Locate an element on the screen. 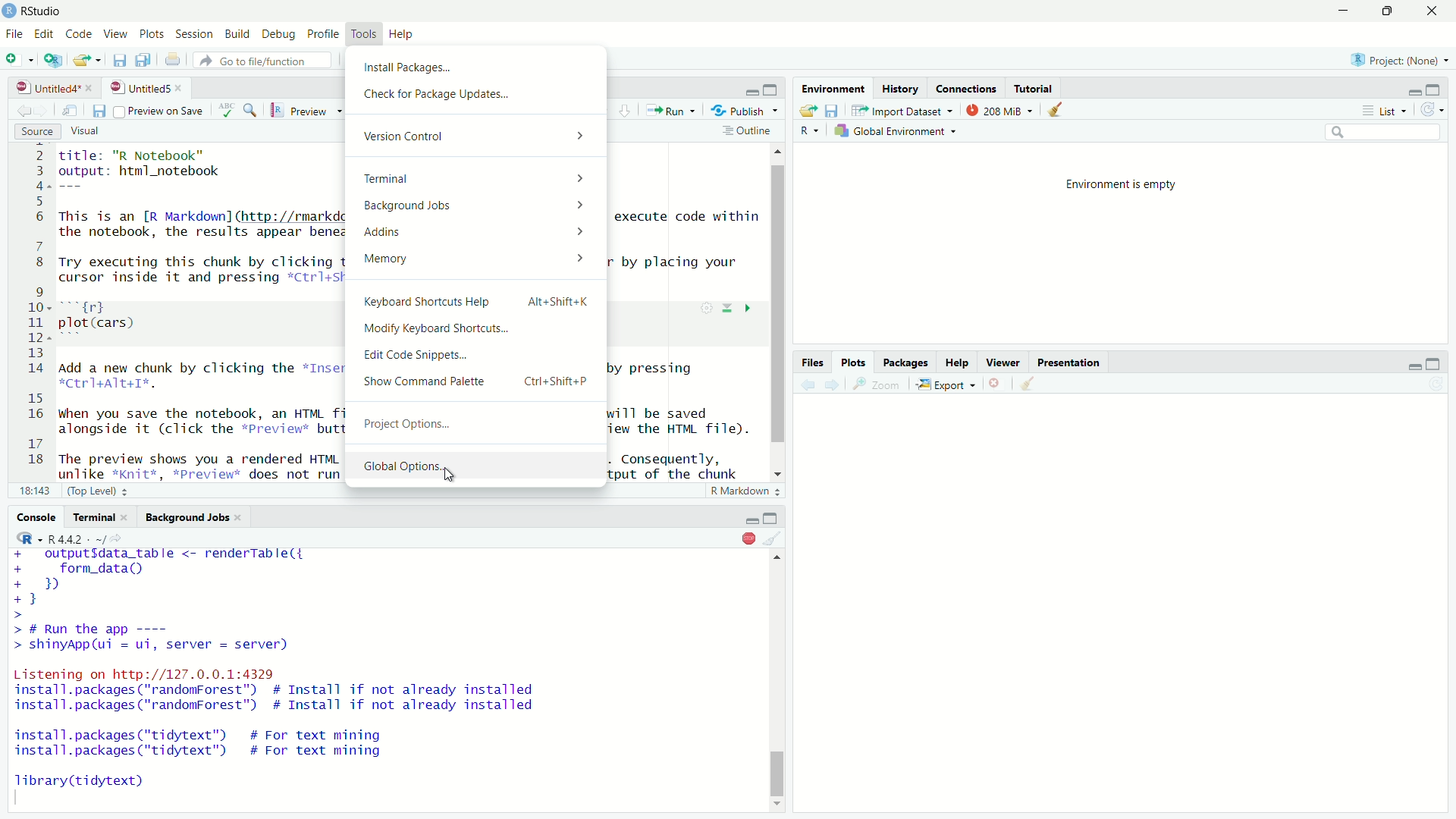  Packages is located at coordinates (907, 363).